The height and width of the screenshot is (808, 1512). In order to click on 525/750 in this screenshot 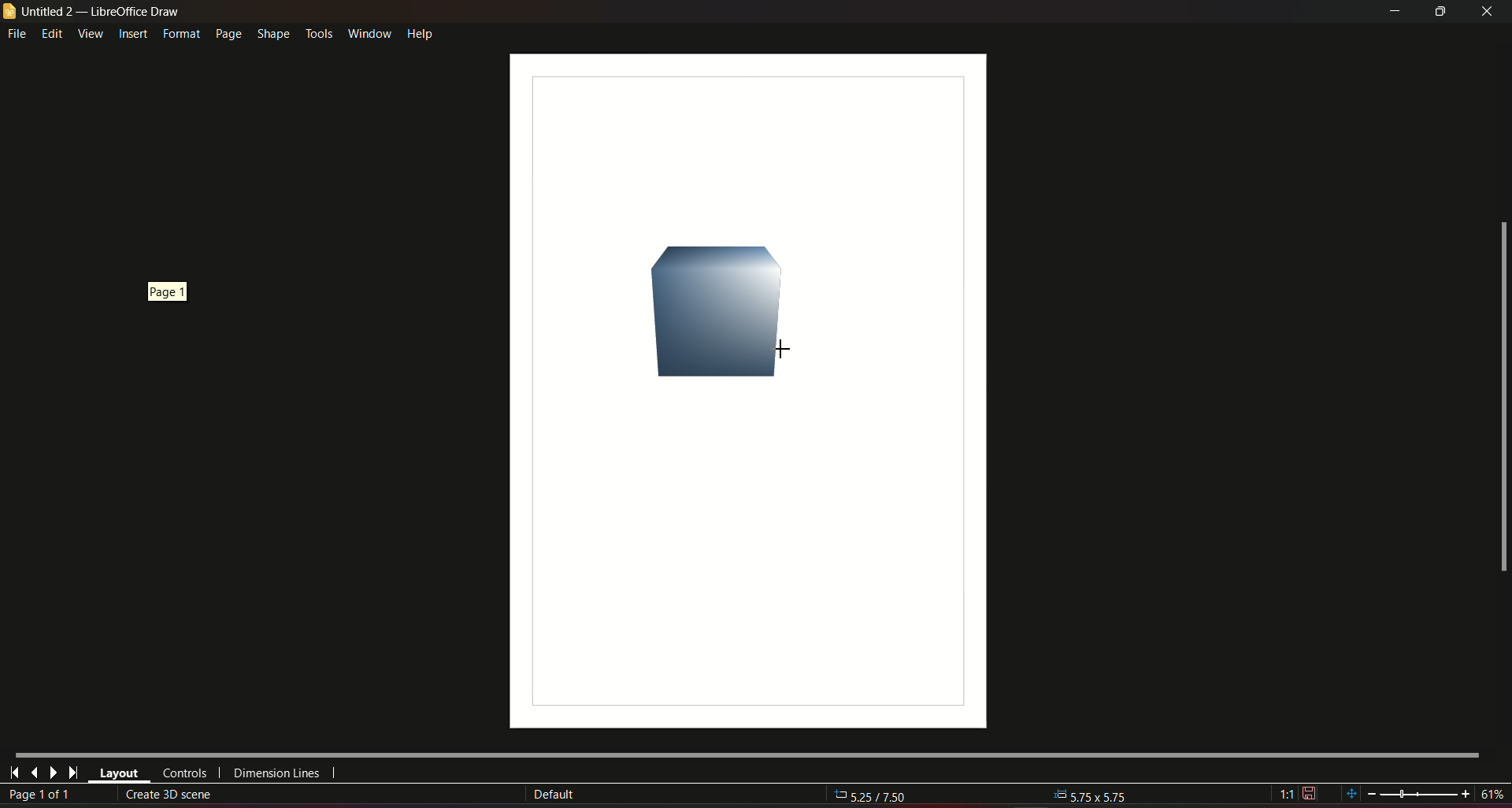, I will do `click(880, 797)`.